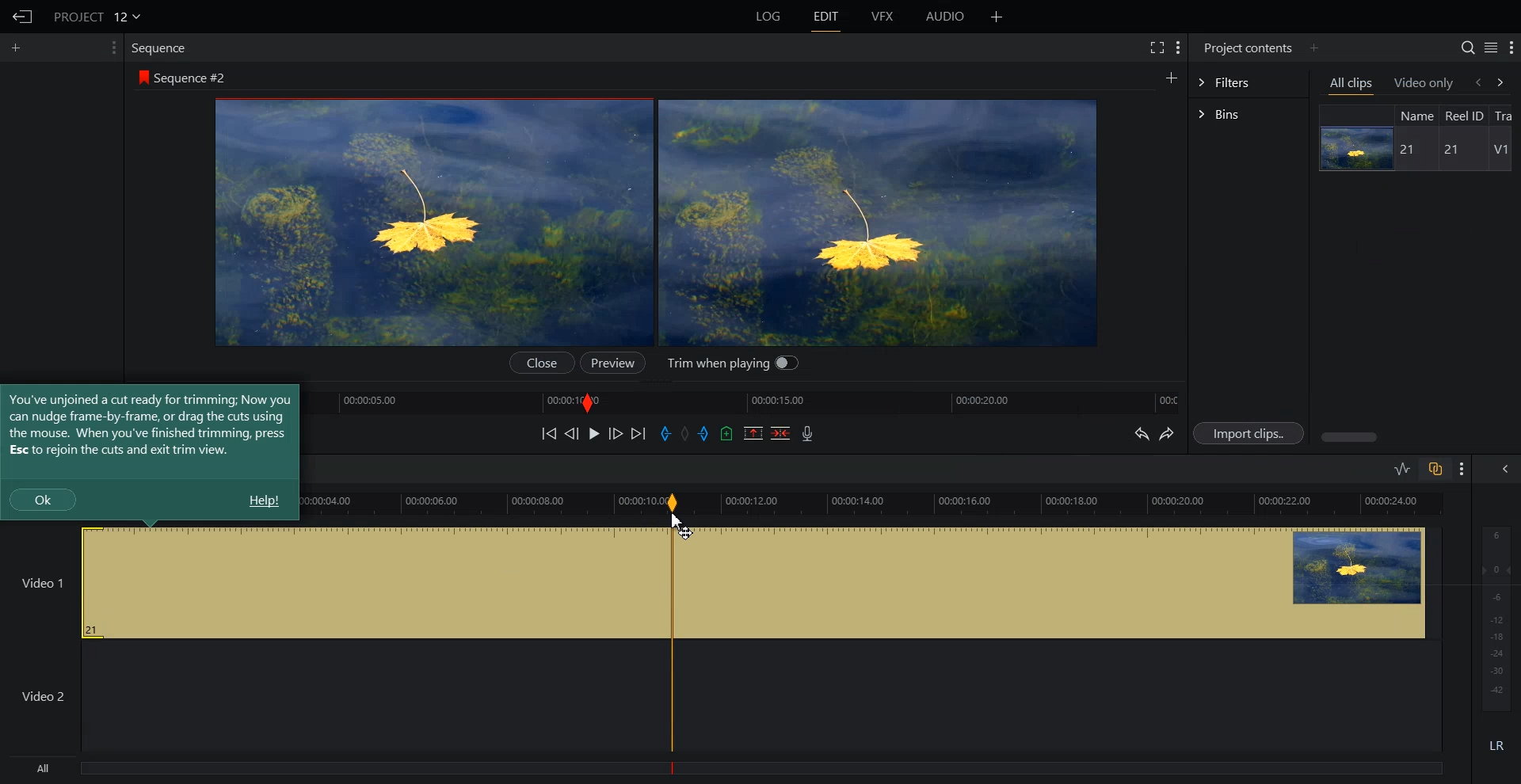 Image resolution: width=1521 pixels, height=784 pixels. I want to click on Video only, so click(1424, 83).